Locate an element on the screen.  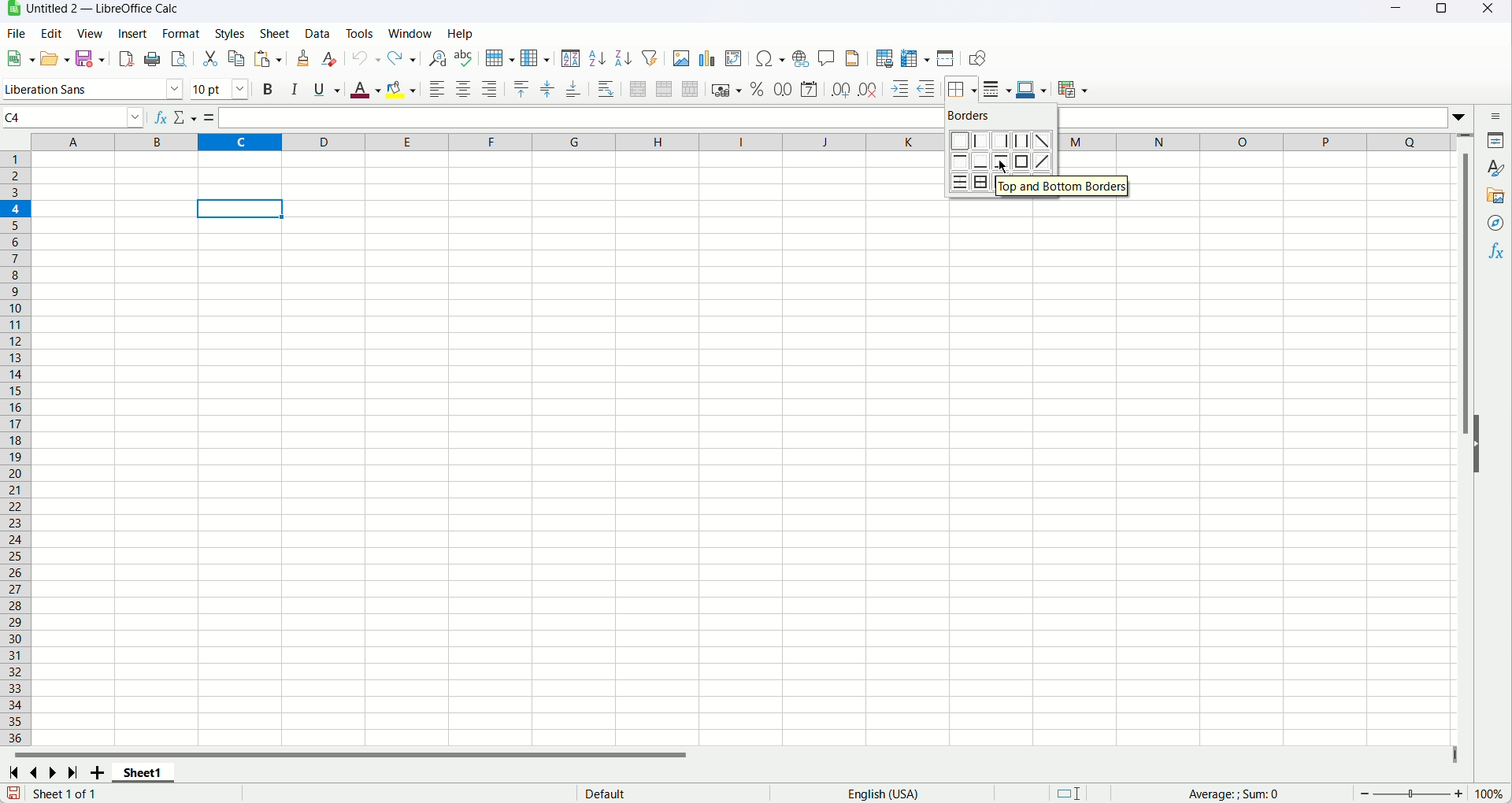
Insert image is located at coordinates (680, 57).